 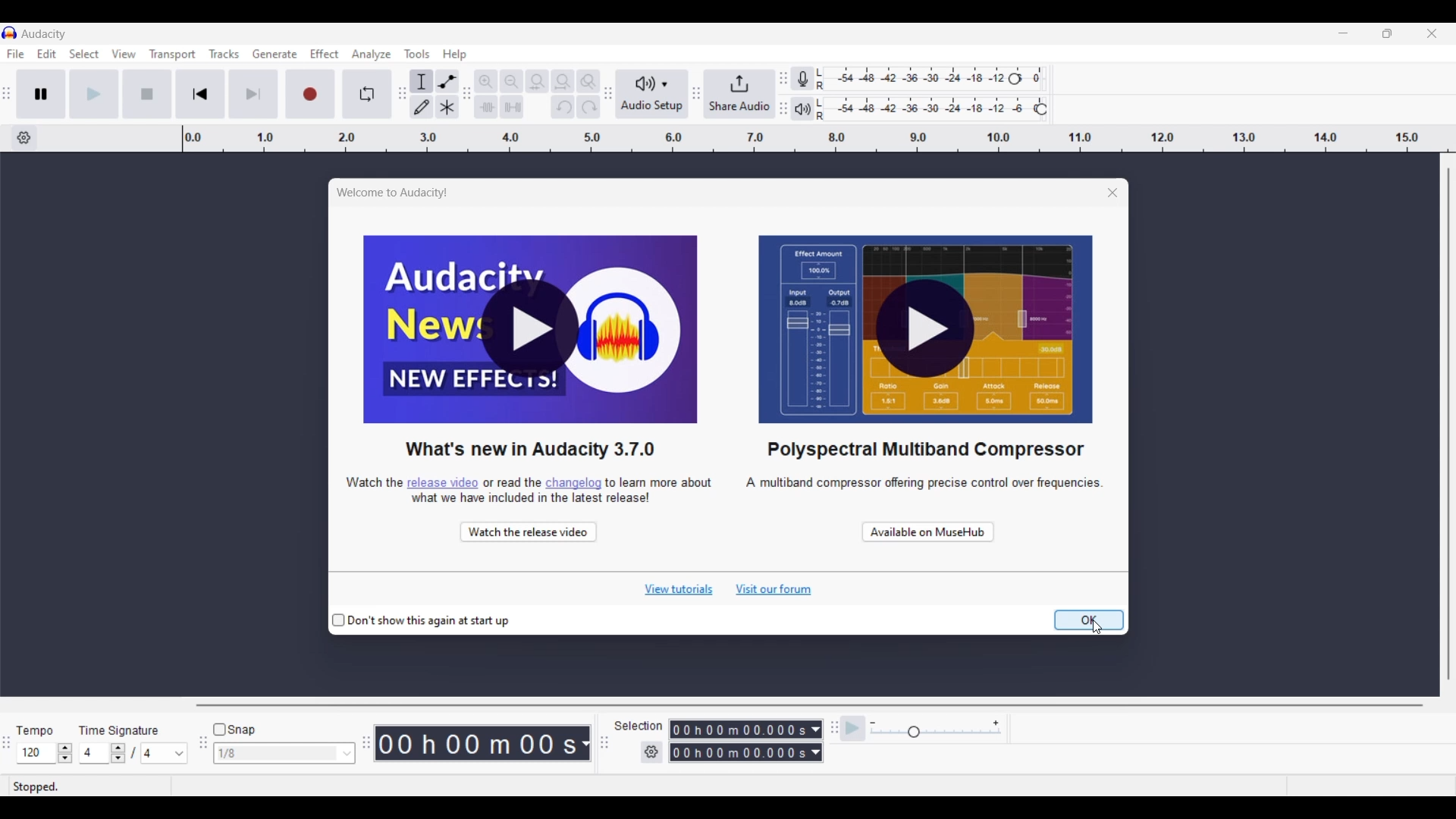 What do you see at coordinates (607, 745) in the screenshot?
I see `toolbar` at bounding box center [607, 745].